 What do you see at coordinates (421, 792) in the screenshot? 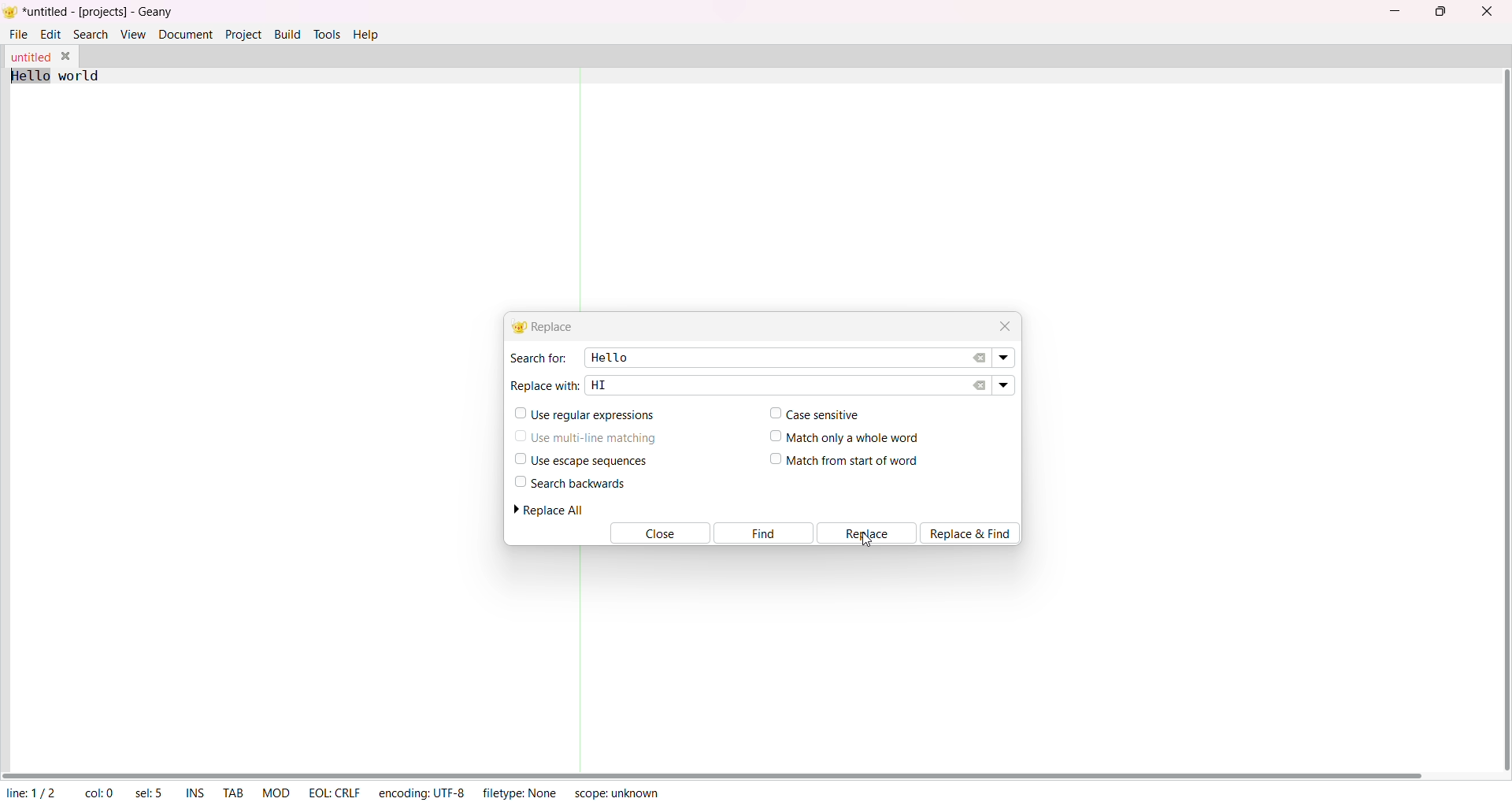
I see `encoding: UTF-8` at bounding box center [421, 792].